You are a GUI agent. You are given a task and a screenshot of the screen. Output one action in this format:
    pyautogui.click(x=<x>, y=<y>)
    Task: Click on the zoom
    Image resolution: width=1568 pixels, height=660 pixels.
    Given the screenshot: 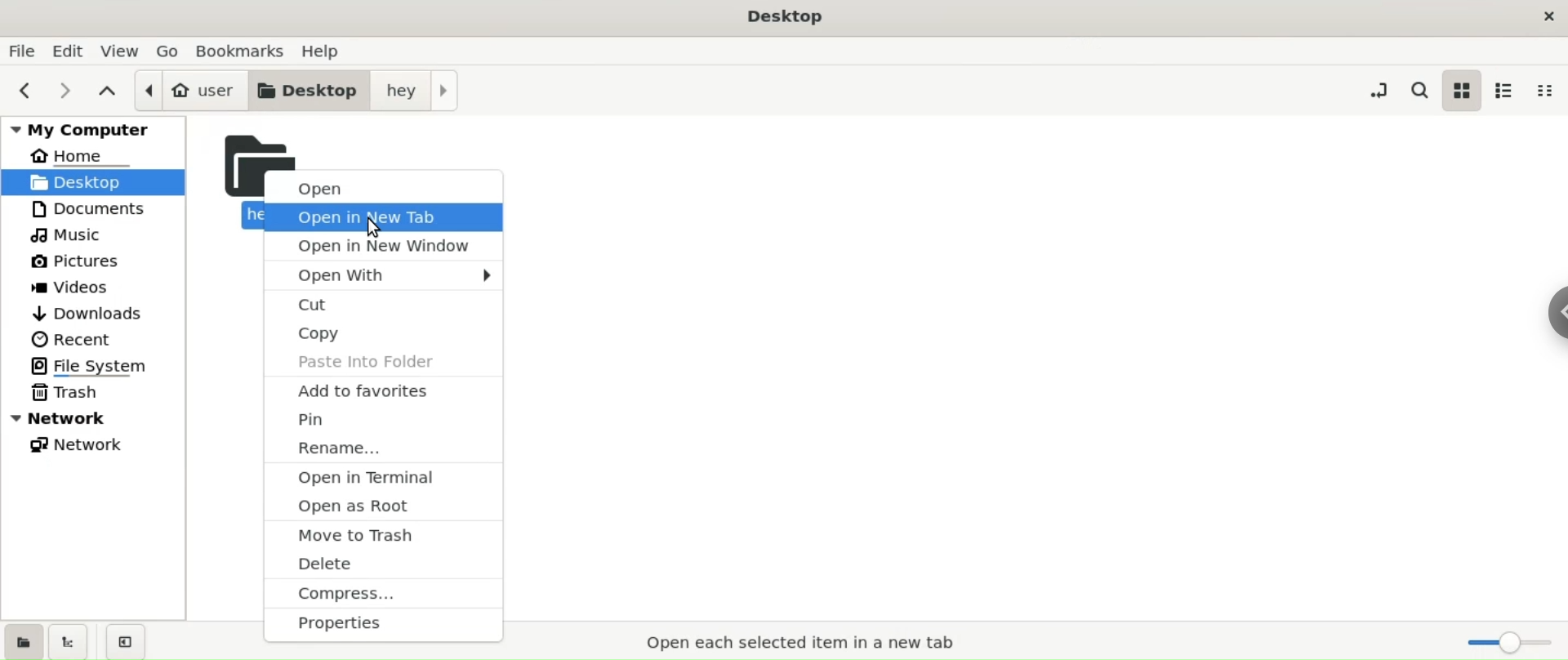 What is the action you would take?
    pyautogui.click(x=1505, y=643)
    